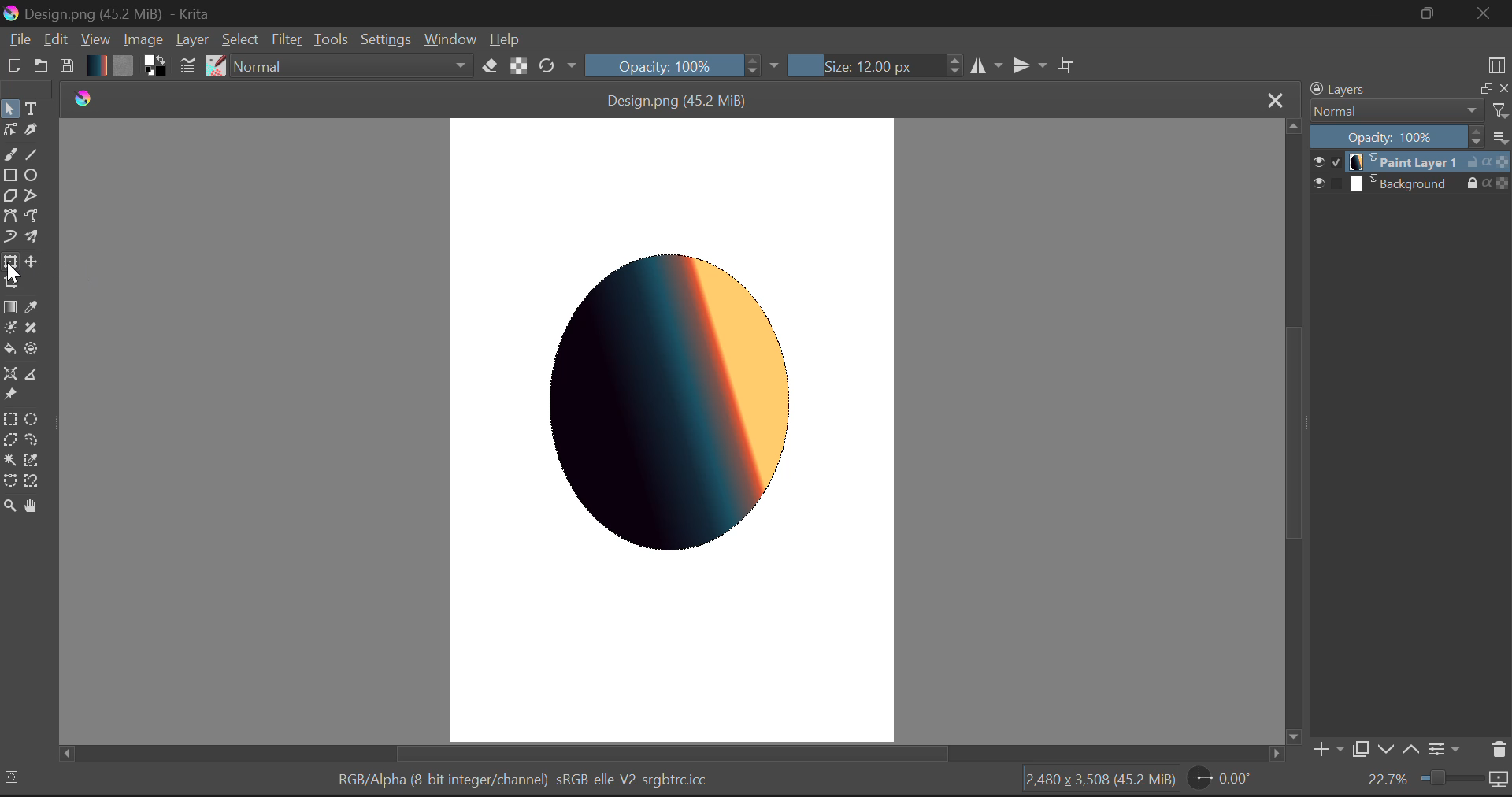  I want to click on Crop, so click(1067, 63).